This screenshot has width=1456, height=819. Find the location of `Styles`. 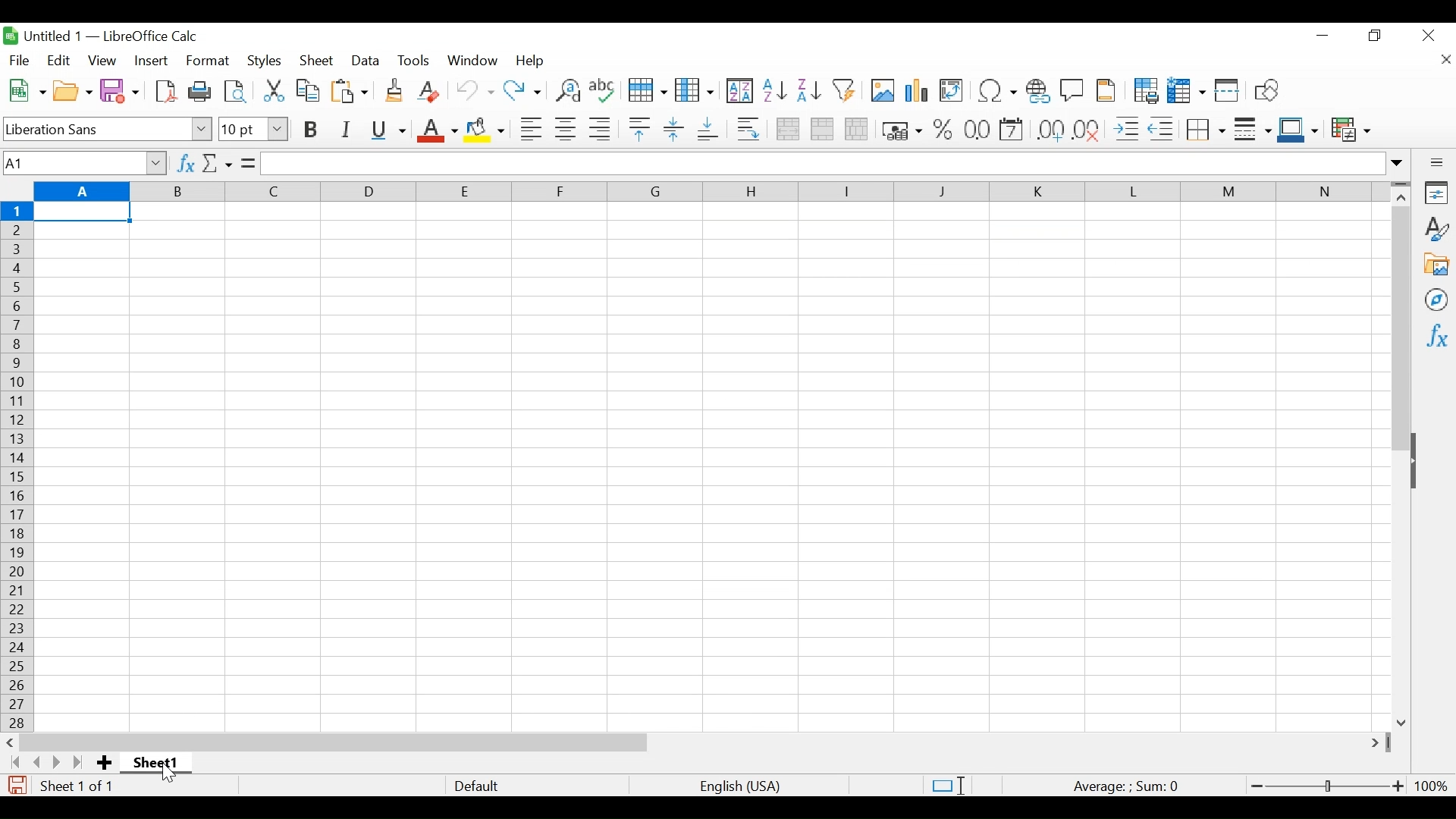

Styles is located at coordinates (262, 61).